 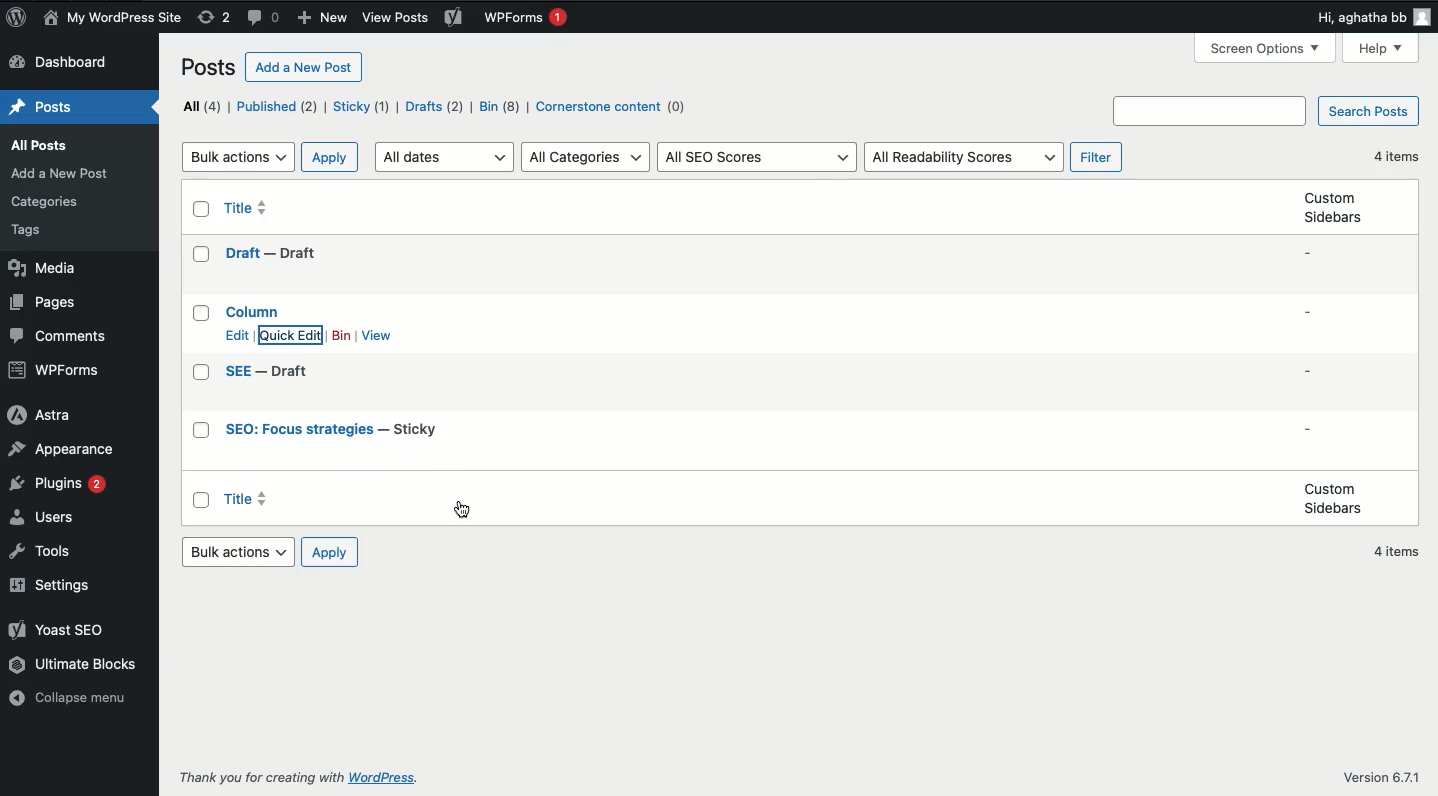 I want to click on Apply, so click(x=332, y=554).